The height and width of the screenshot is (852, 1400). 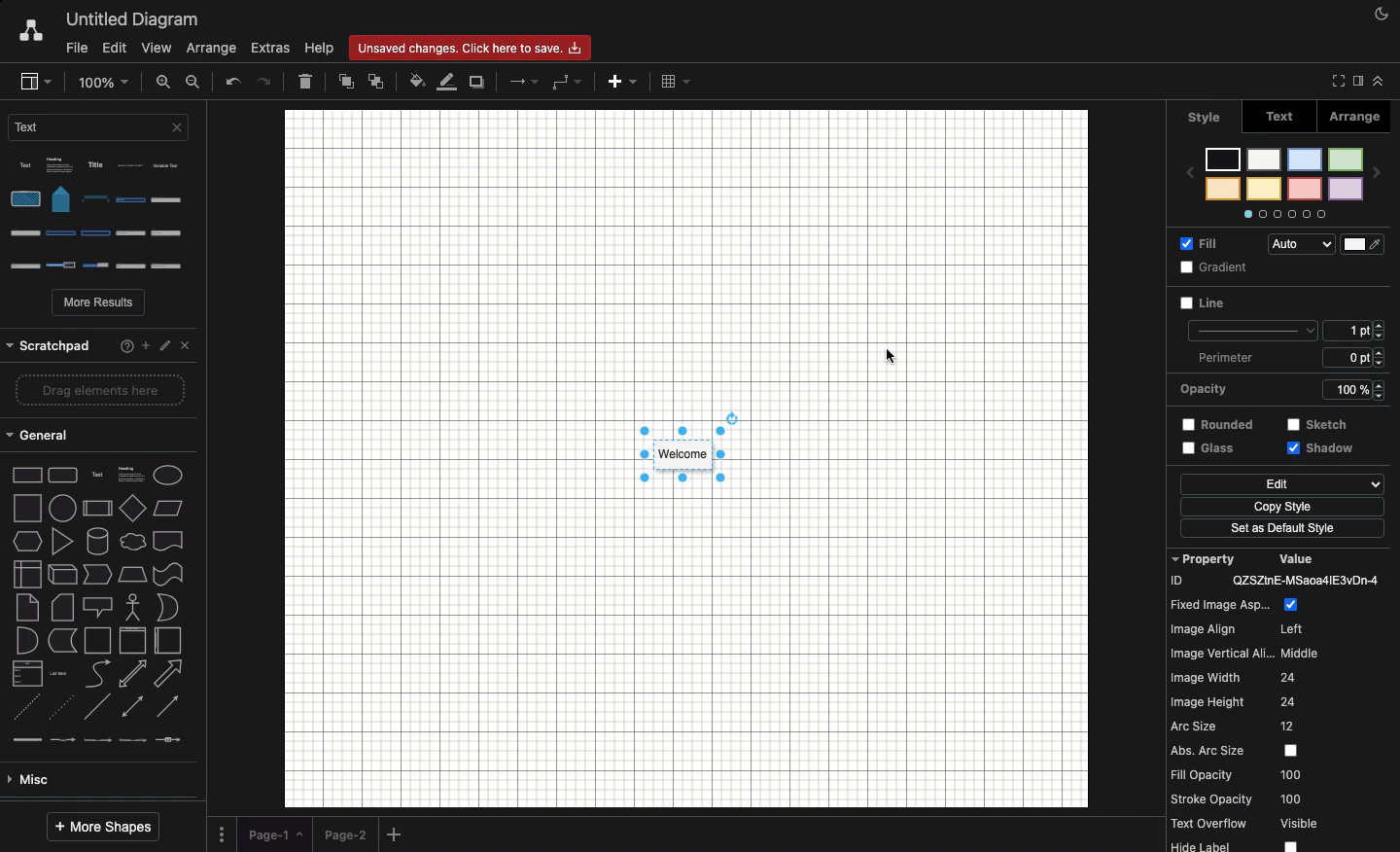 What do you see at coordinates (194, 82) in the screenshot?
I see `Zoom out` at bounding box center [194, 82].